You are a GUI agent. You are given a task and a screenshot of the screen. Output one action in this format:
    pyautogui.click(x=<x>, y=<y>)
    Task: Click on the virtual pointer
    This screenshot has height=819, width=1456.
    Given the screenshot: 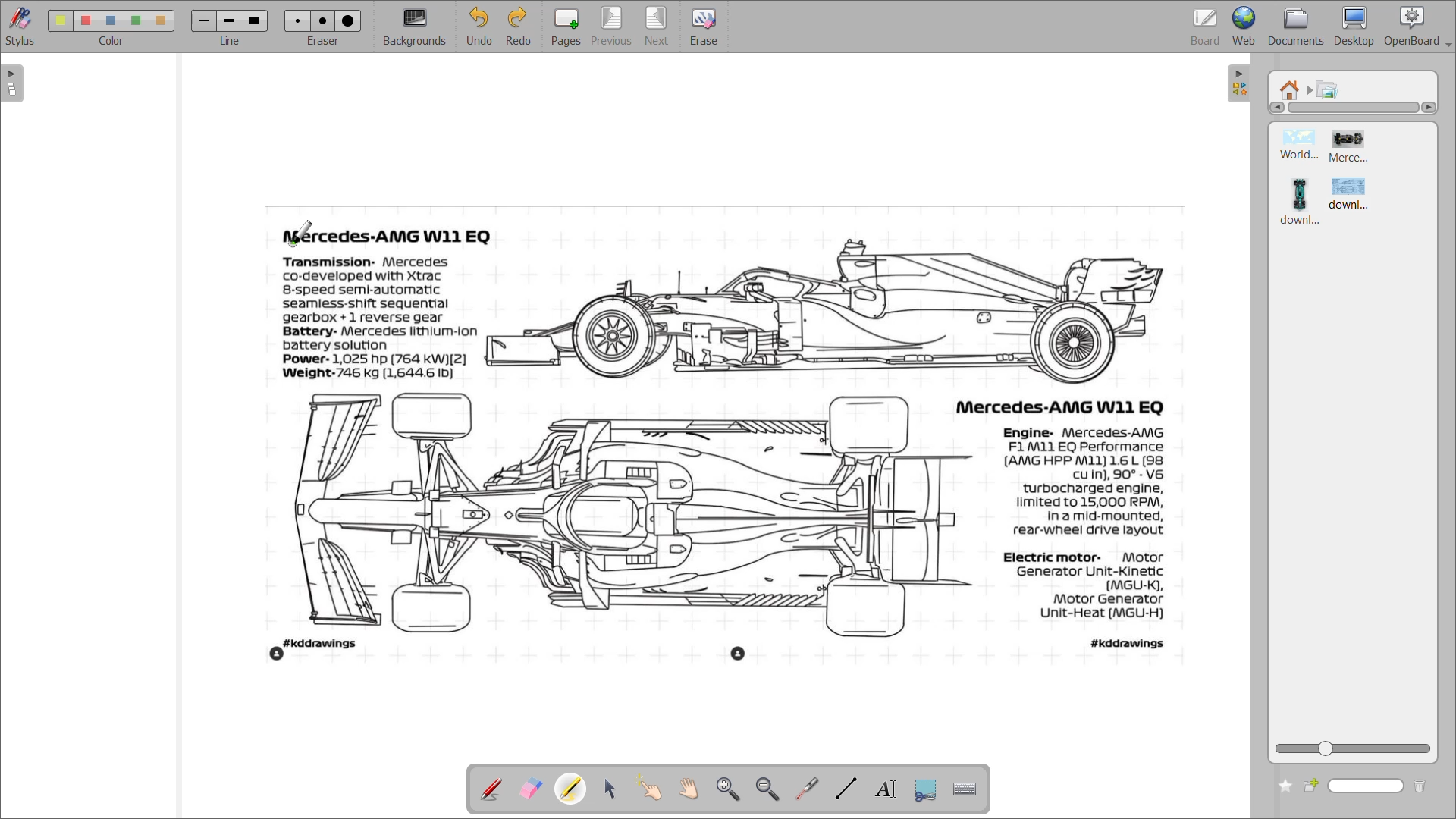 What is the action you would take?
    pyautogui.click(x=808, y=789)
    